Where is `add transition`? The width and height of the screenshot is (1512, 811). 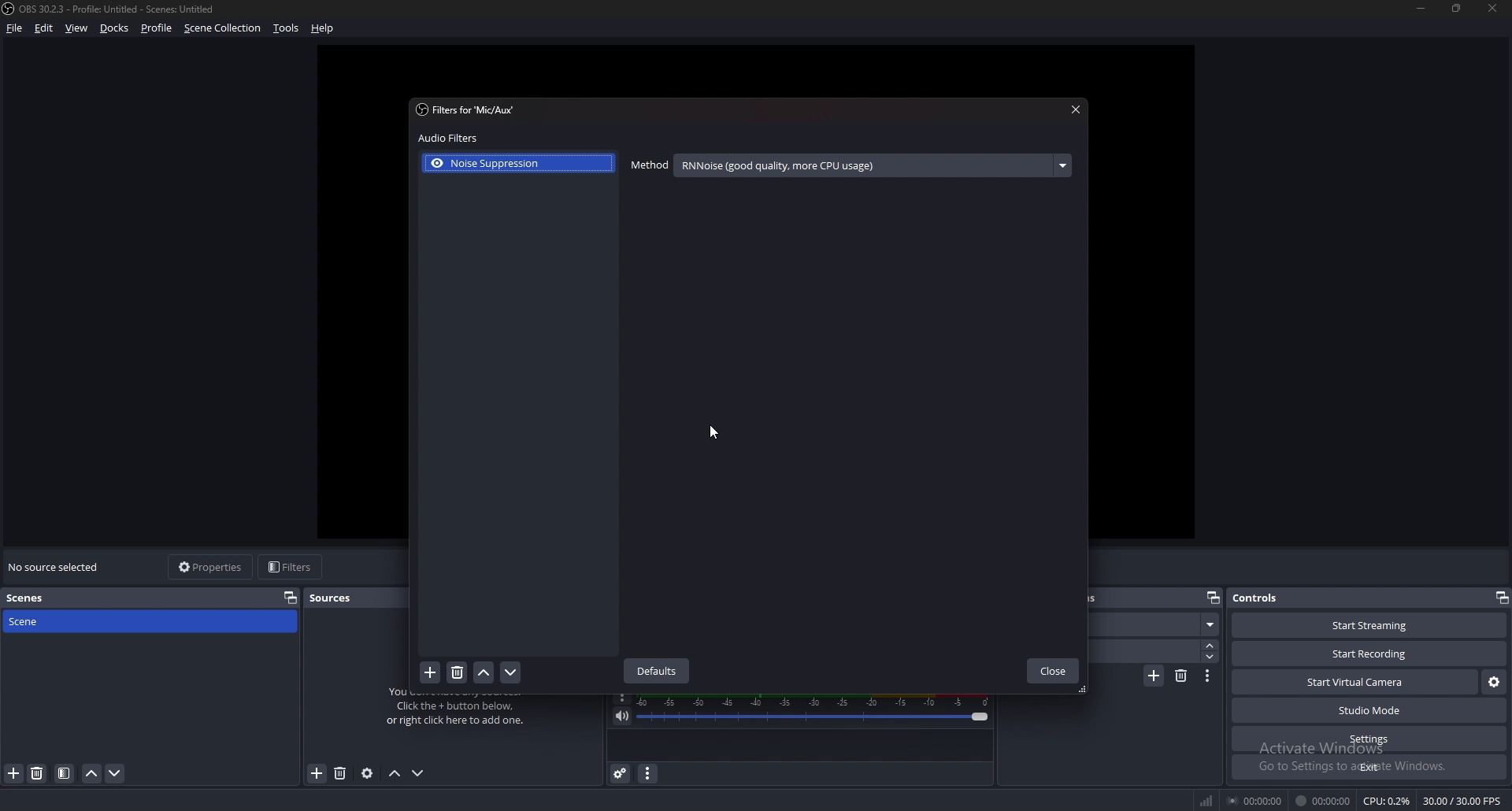
add transition is located at coordinates (1152, 677).